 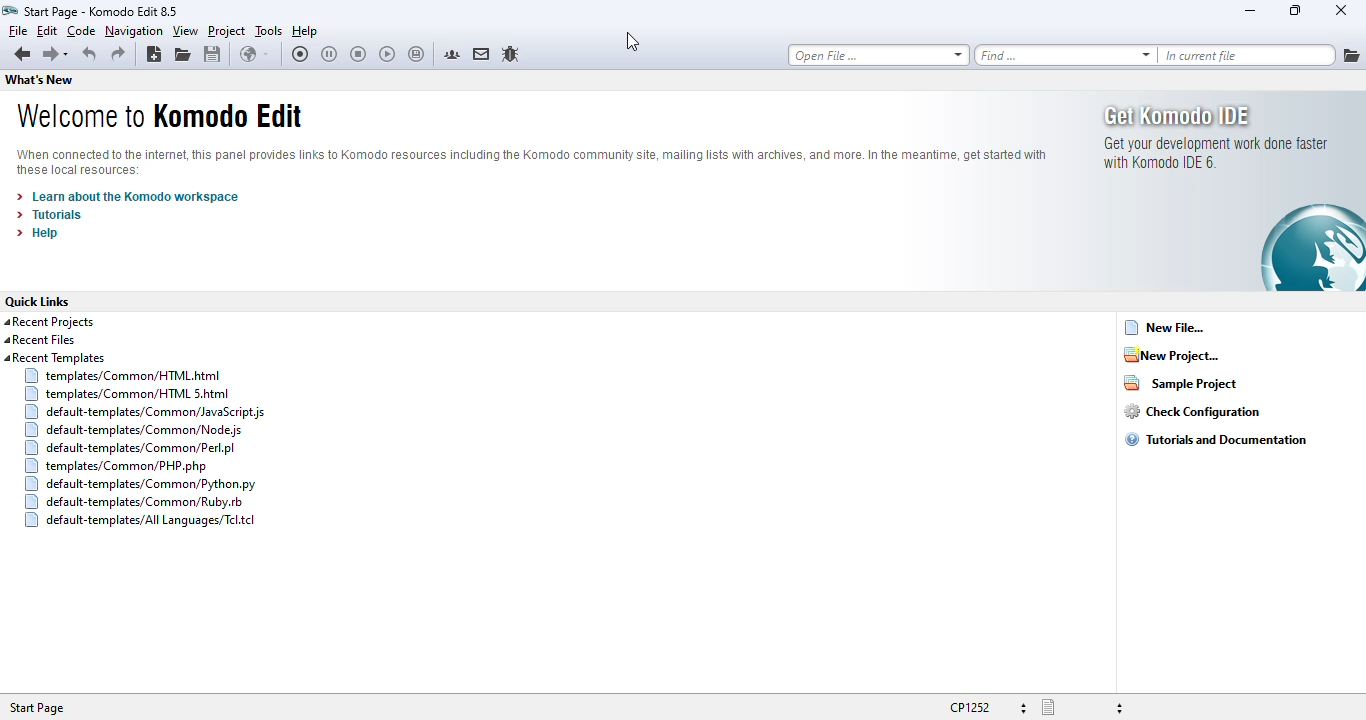 What do you see at coordinates (153, 54) in the screenshot?
I see `new file using default language` at bounding box center [153, 54].